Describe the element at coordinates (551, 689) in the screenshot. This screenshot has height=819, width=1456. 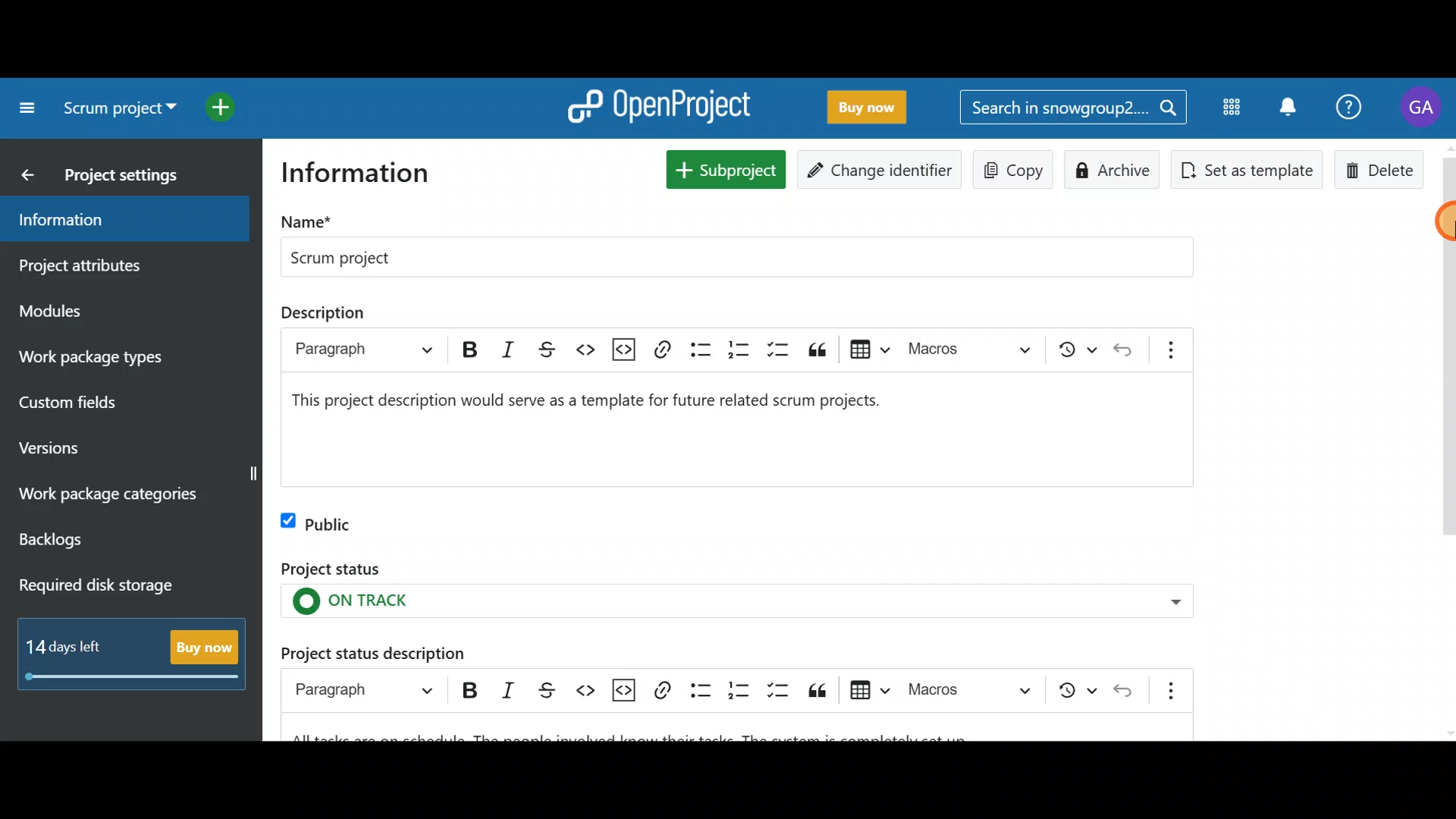
I see `Strikethrough` at that location.